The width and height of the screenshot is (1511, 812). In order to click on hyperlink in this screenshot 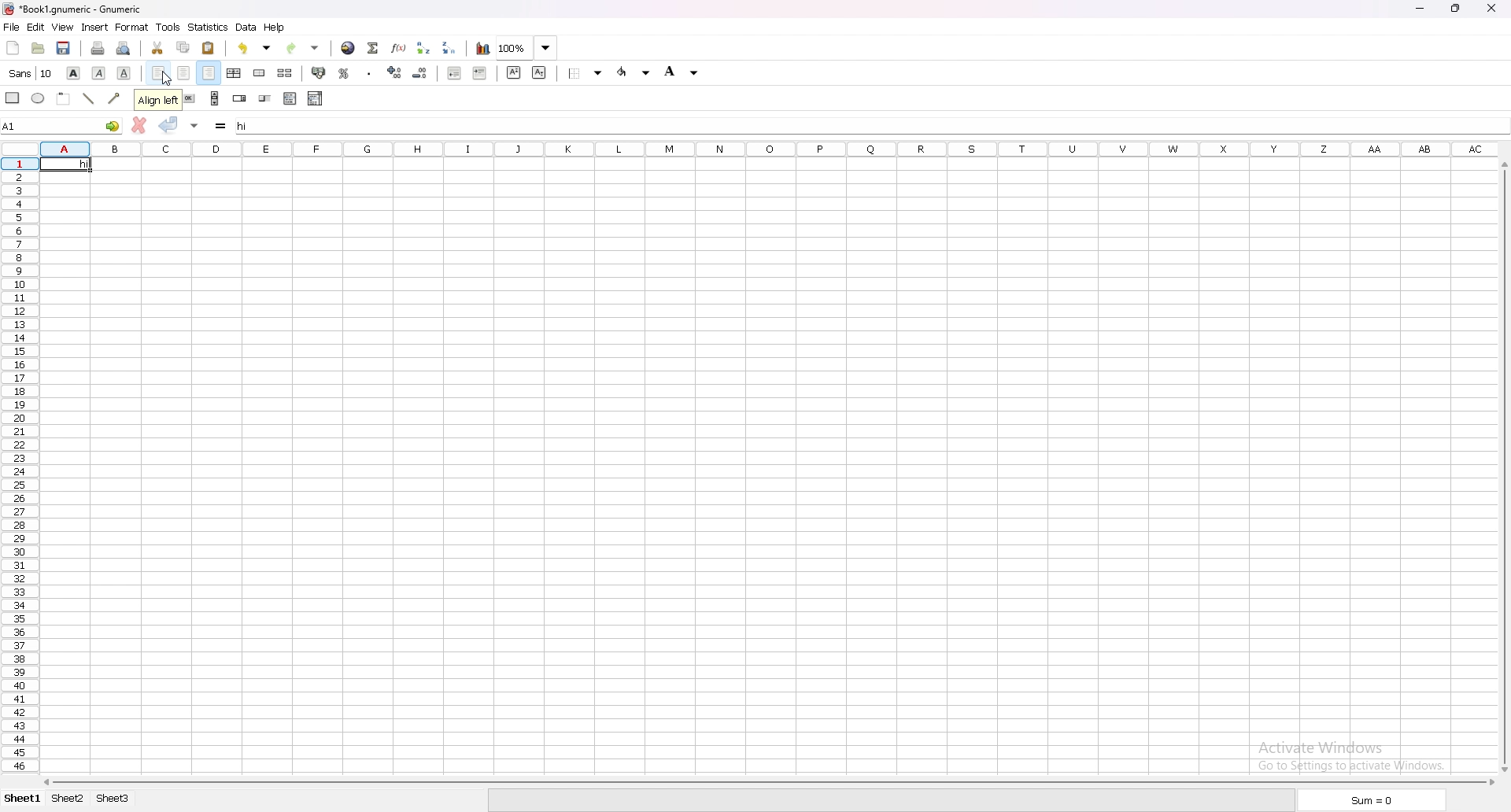, I will do `click(347, 49)`.